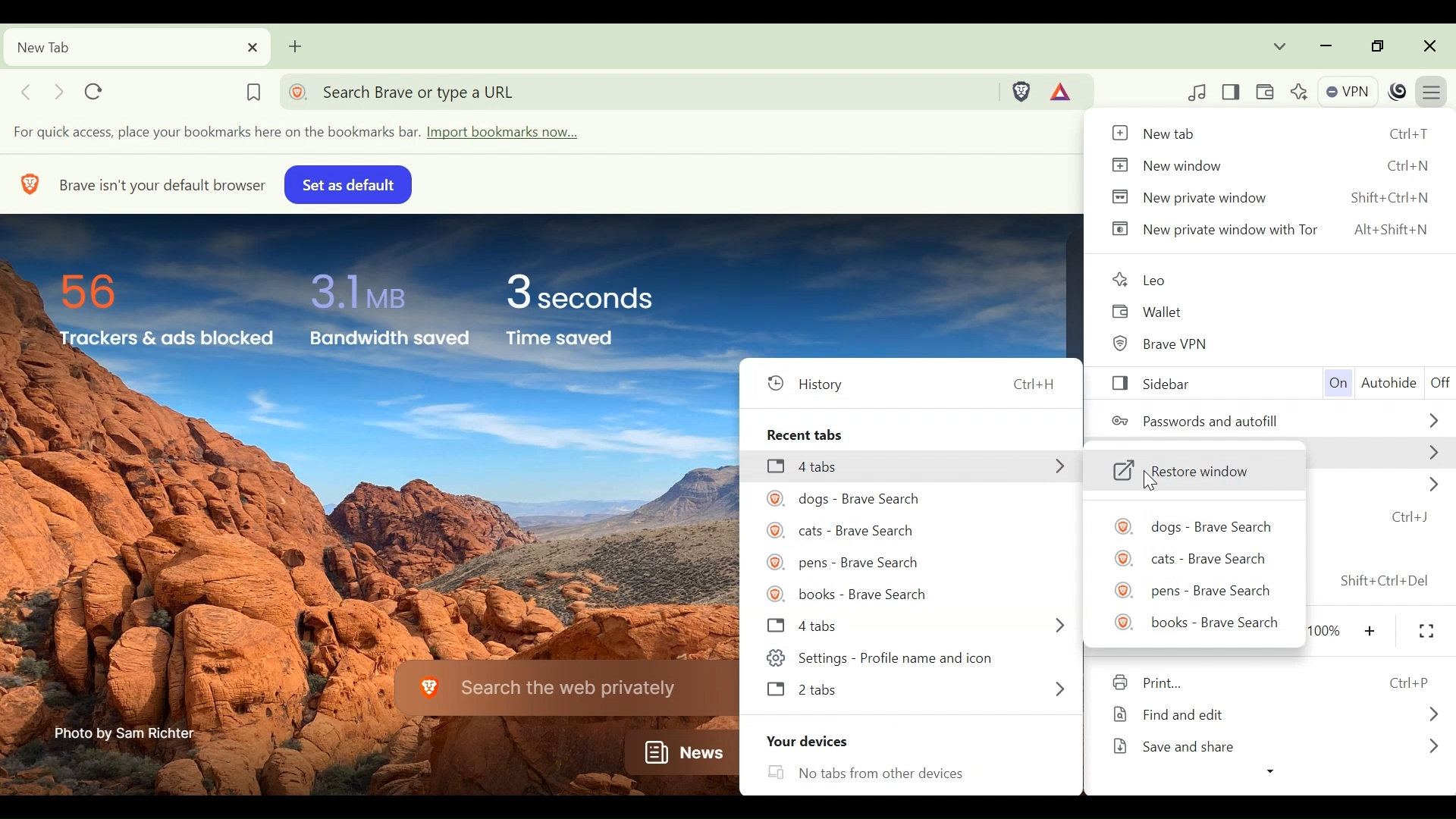  What do you see at coordinates (252, 88) in the screenshot?
I see `Bookmark this tab` at bounding box center [252, 88].